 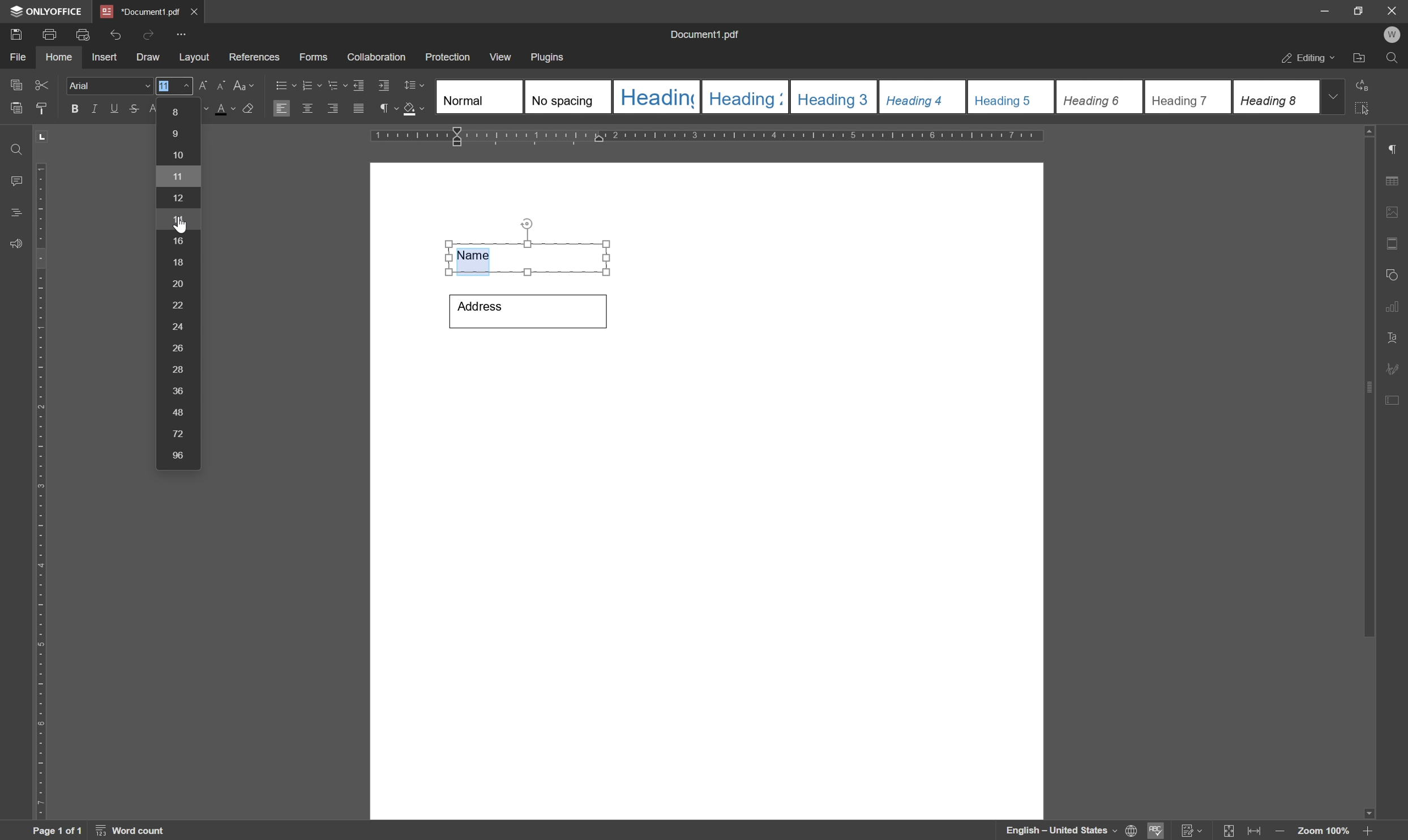 I want to click on increment font size, so click(x=195, y=86).